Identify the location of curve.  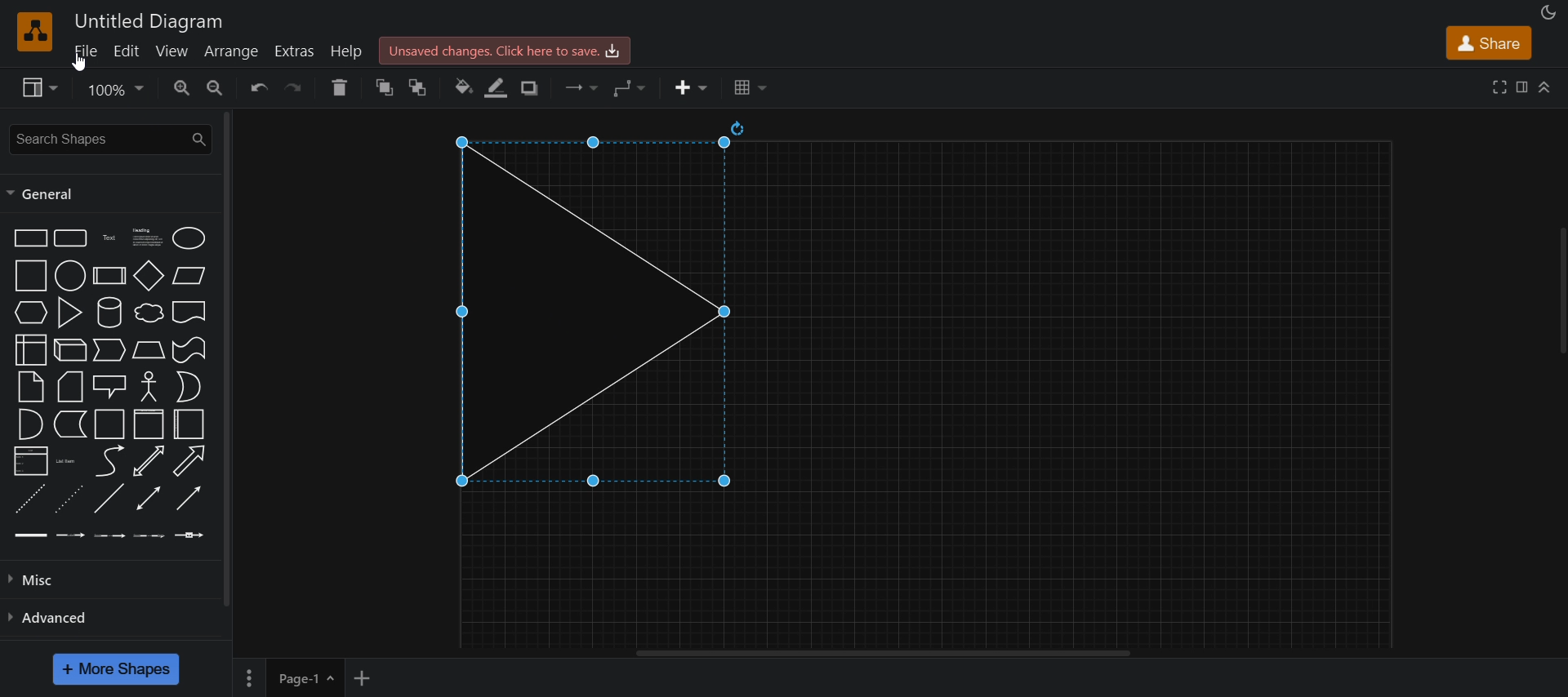
(109, 313).